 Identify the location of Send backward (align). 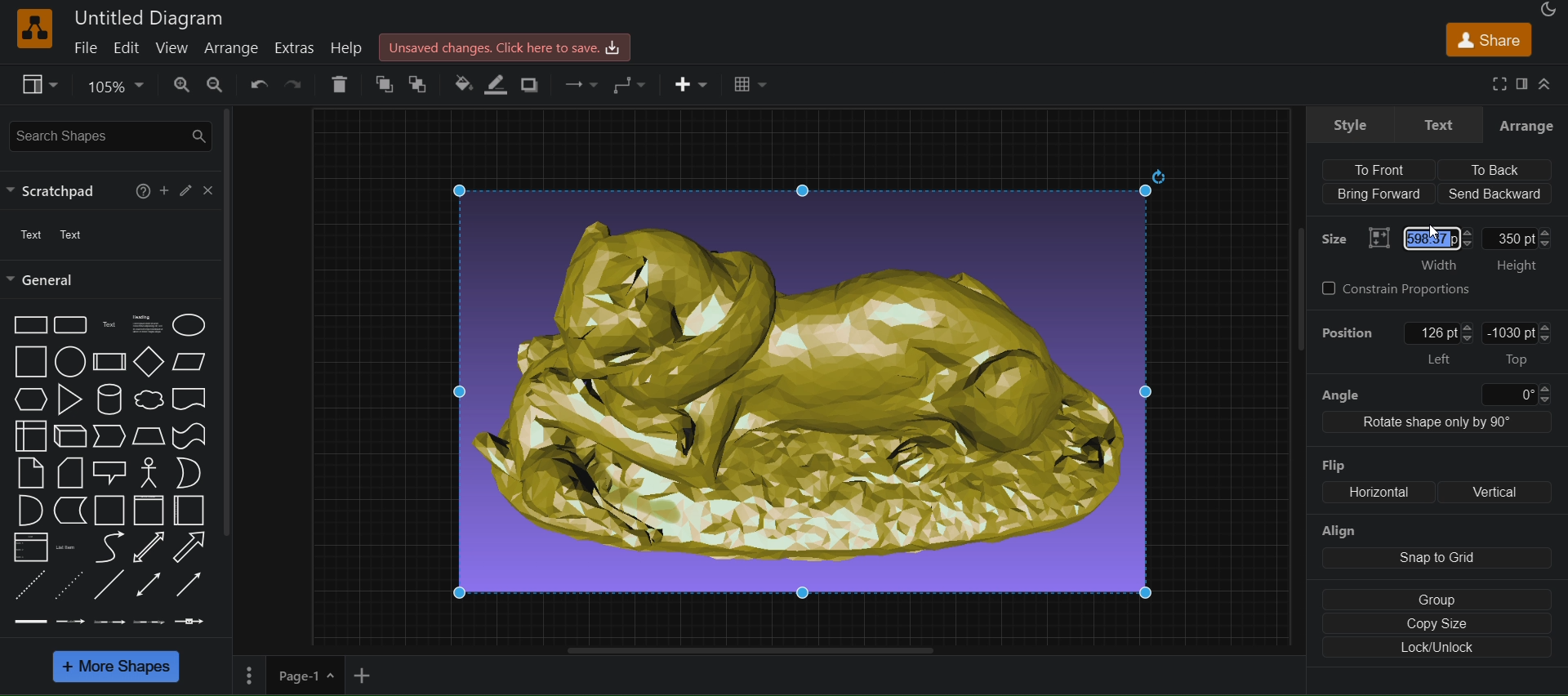
(1496, 194).